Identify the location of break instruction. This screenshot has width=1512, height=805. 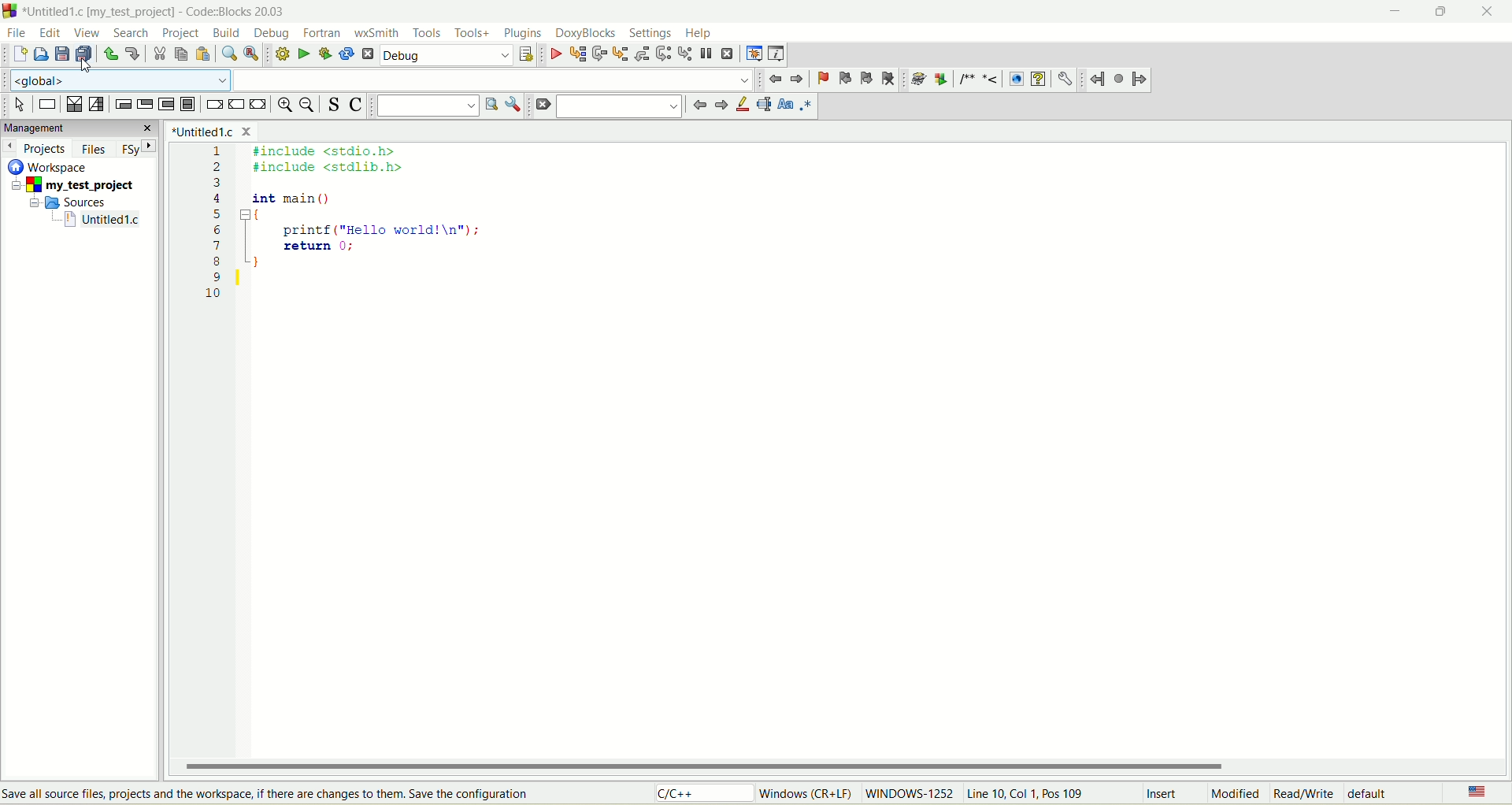
(213, 104).